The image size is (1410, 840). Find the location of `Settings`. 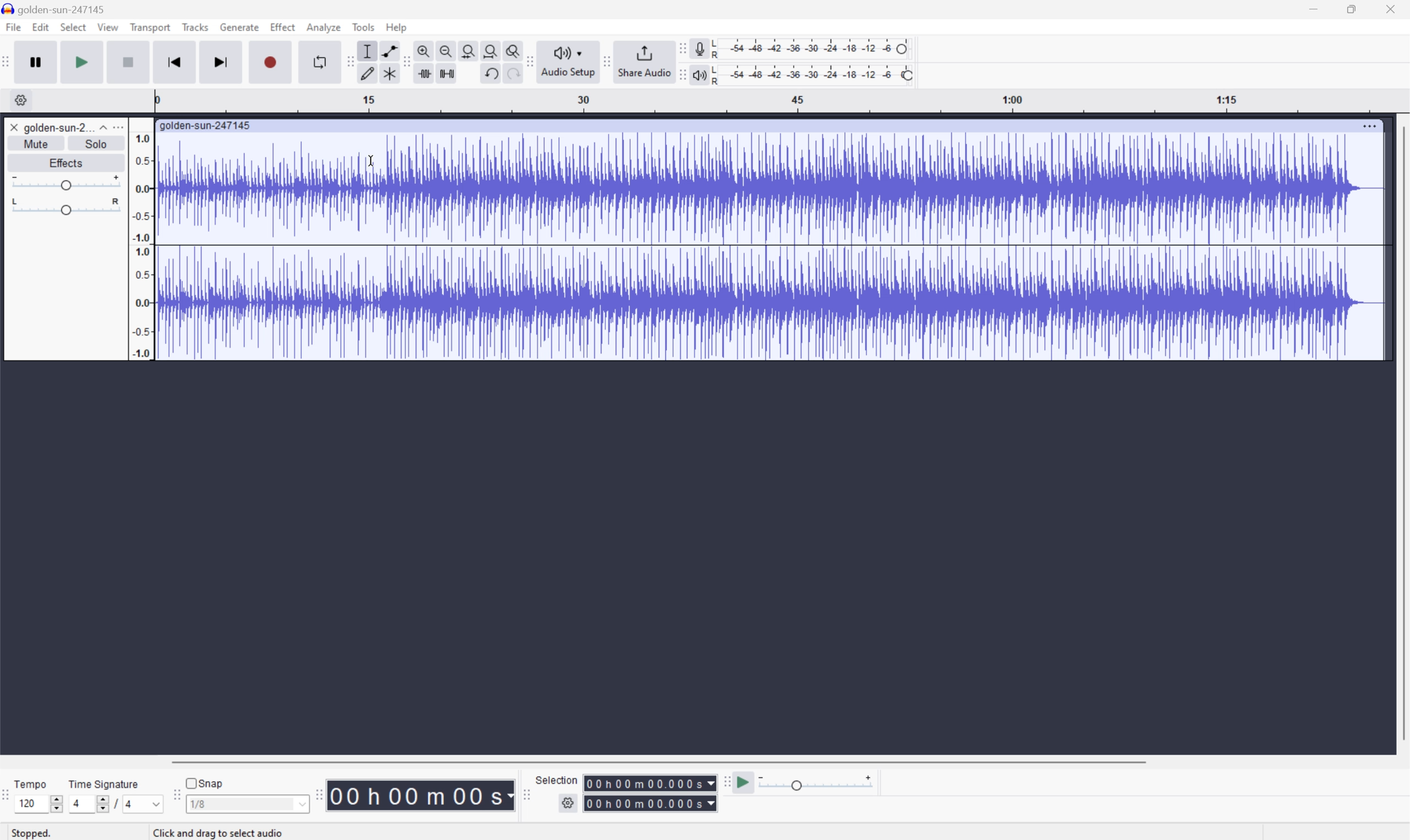

Settings is located at coordinates (570, 803).